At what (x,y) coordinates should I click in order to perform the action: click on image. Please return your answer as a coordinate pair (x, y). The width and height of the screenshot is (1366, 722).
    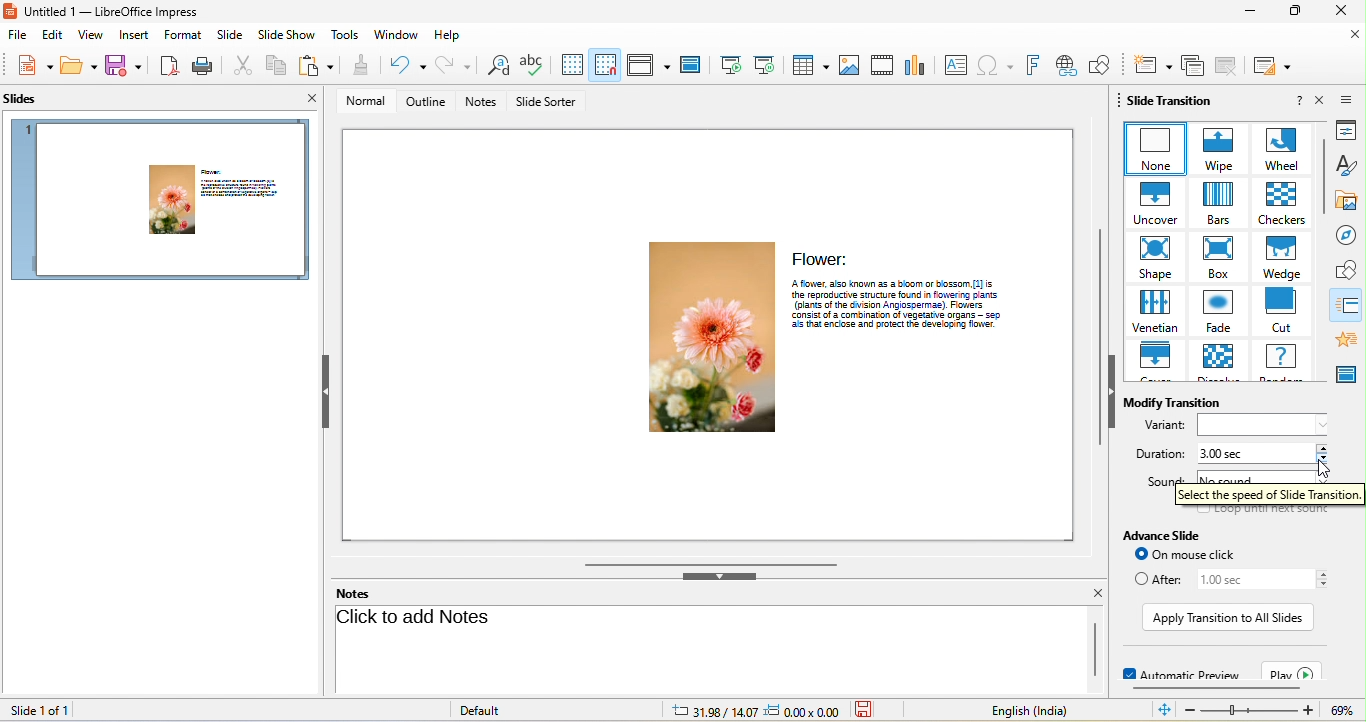
    Looking at the image, I should click on (850, 65).